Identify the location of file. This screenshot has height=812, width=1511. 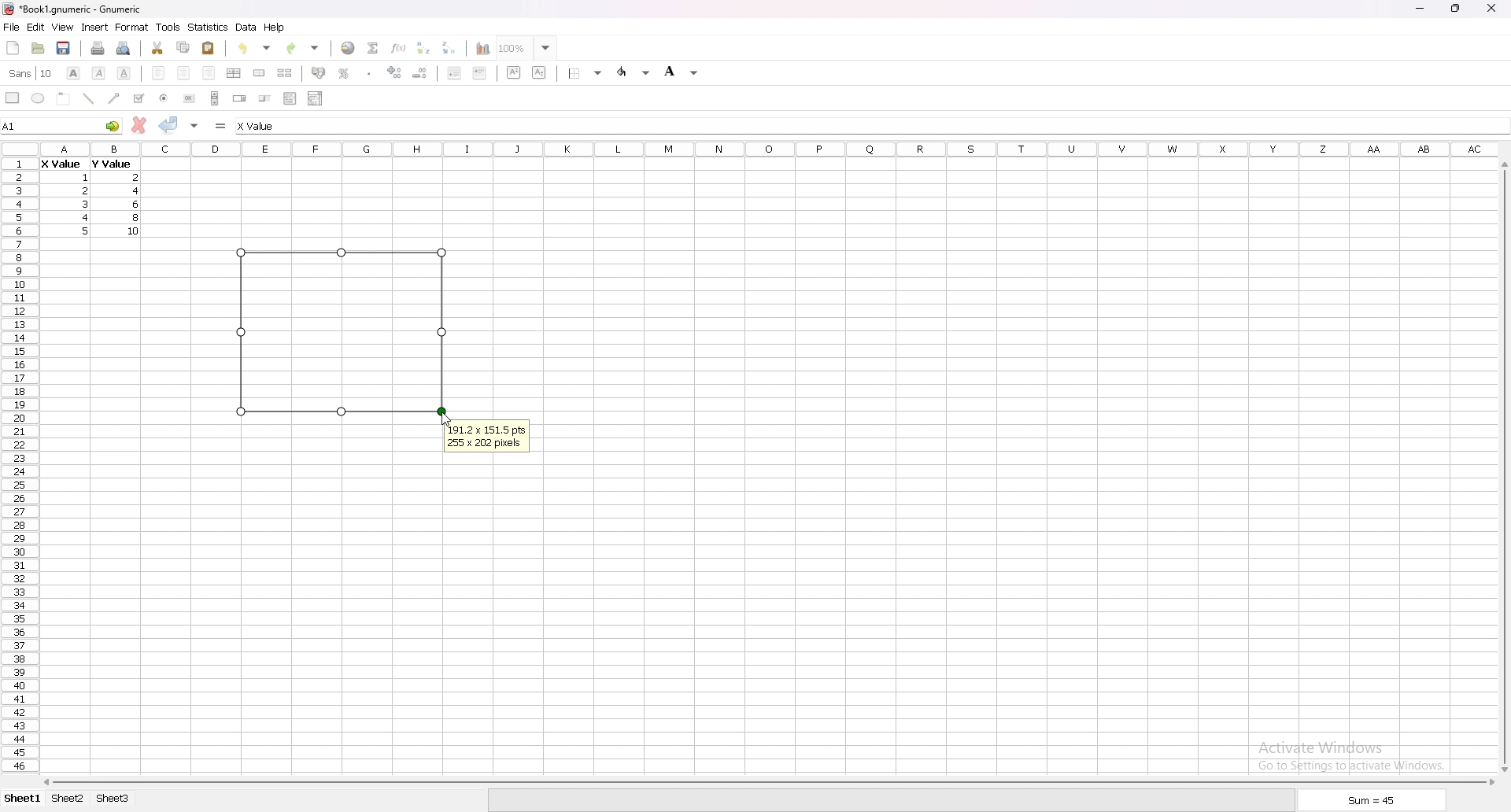
(11, 28).